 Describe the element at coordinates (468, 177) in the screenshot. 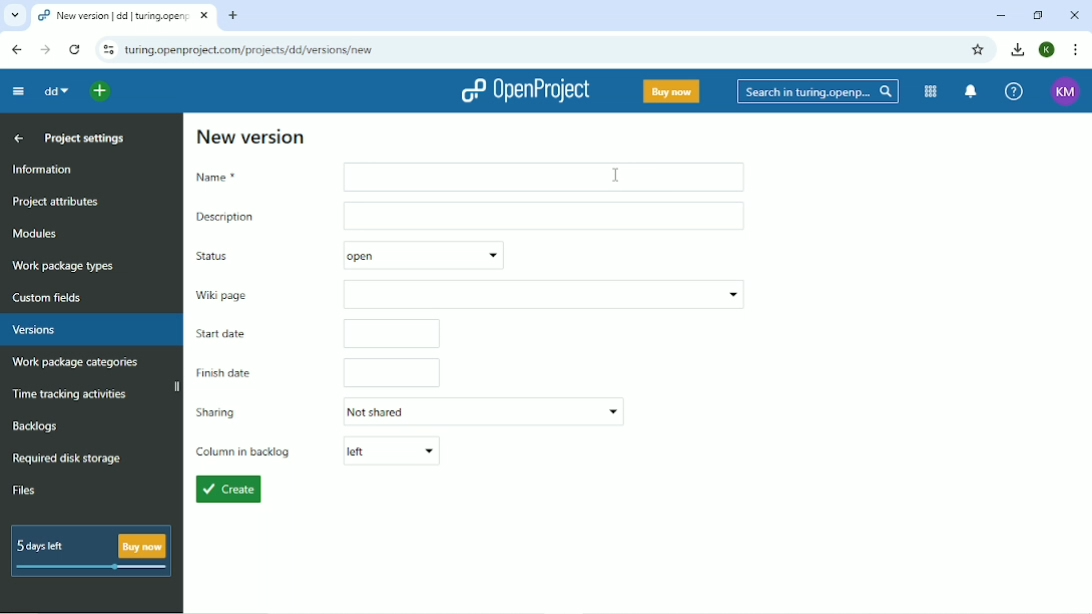

I see `Name` at that location.